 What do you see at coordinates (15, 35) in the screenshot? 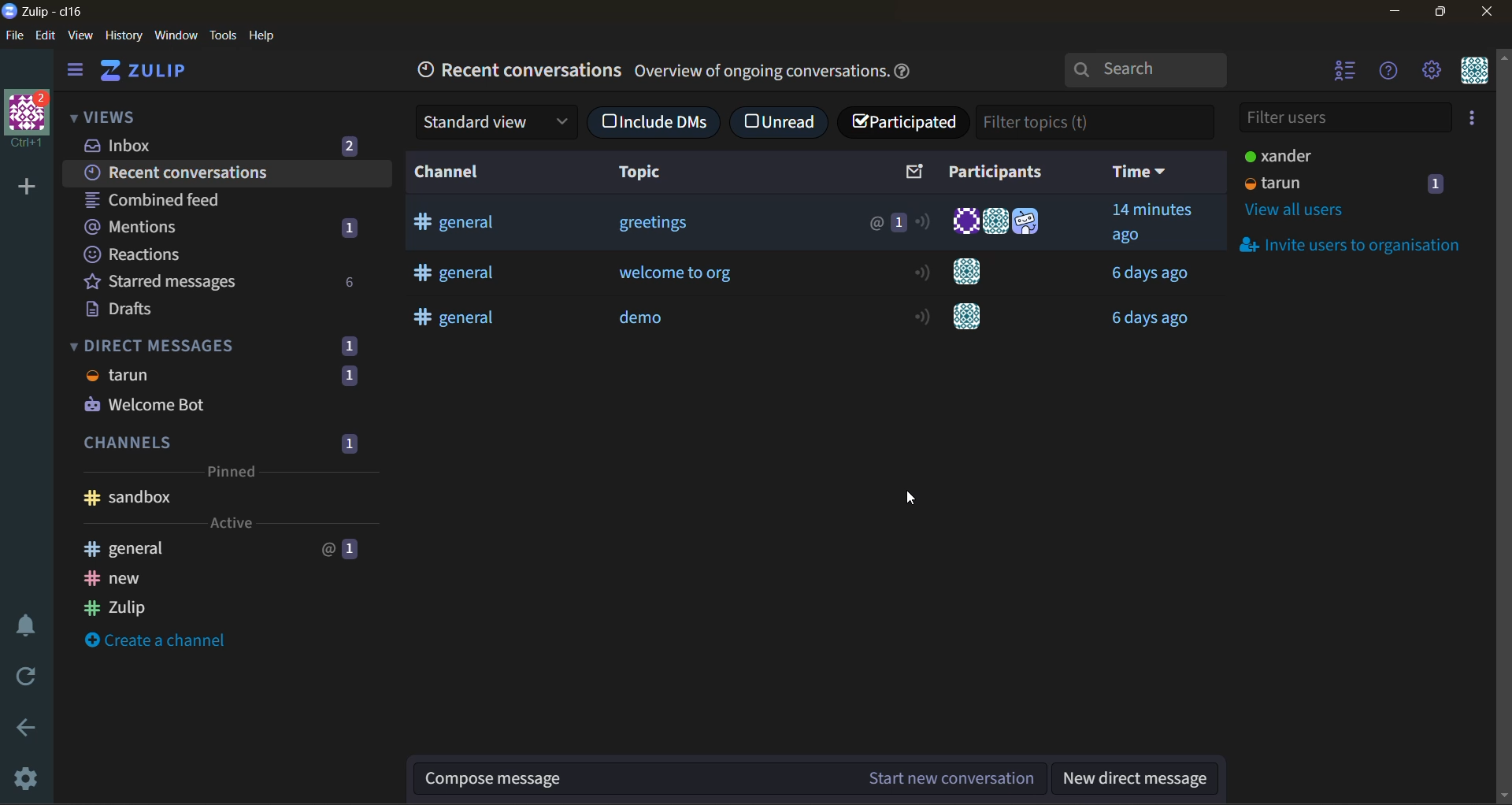
I see `file` at bounding box center [15, 35].